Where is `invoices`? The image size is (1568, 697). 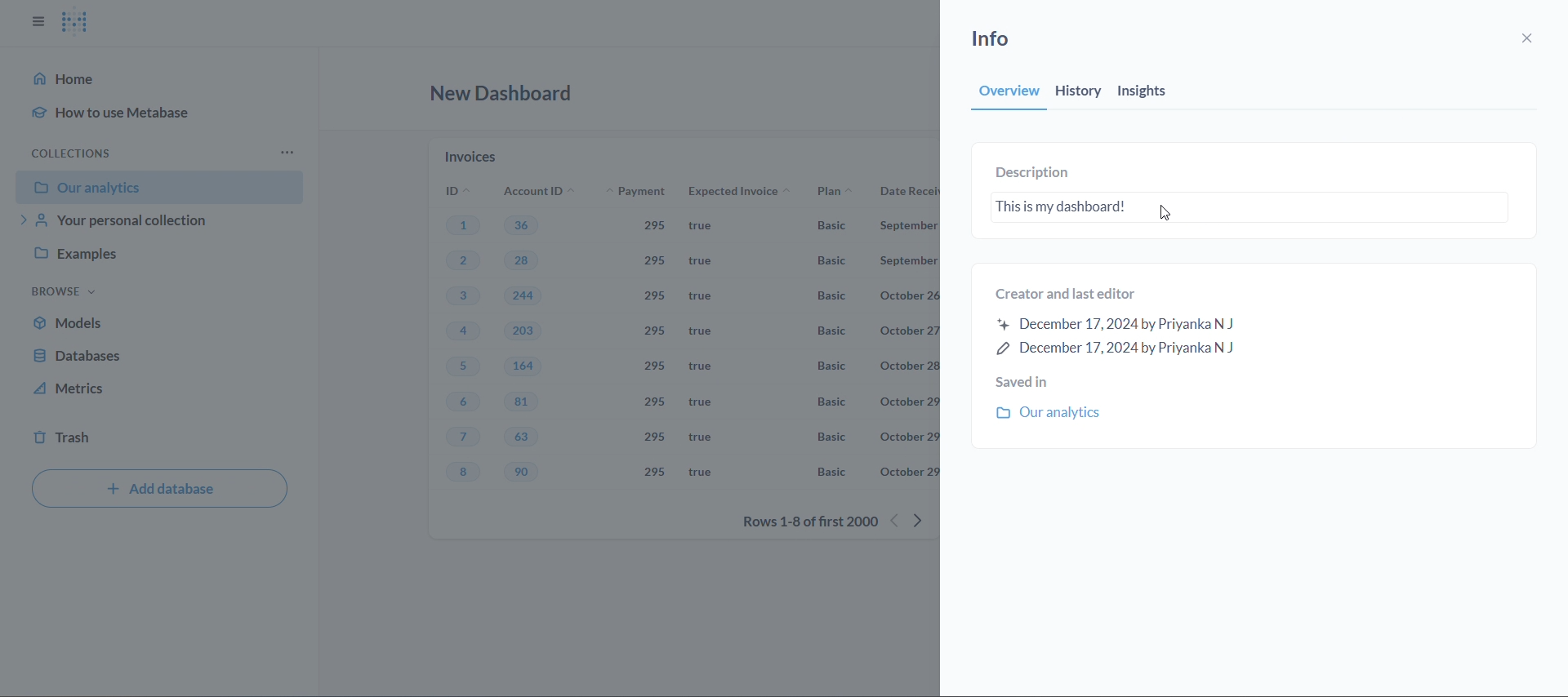 invoices is located at coordinates (473, 154).